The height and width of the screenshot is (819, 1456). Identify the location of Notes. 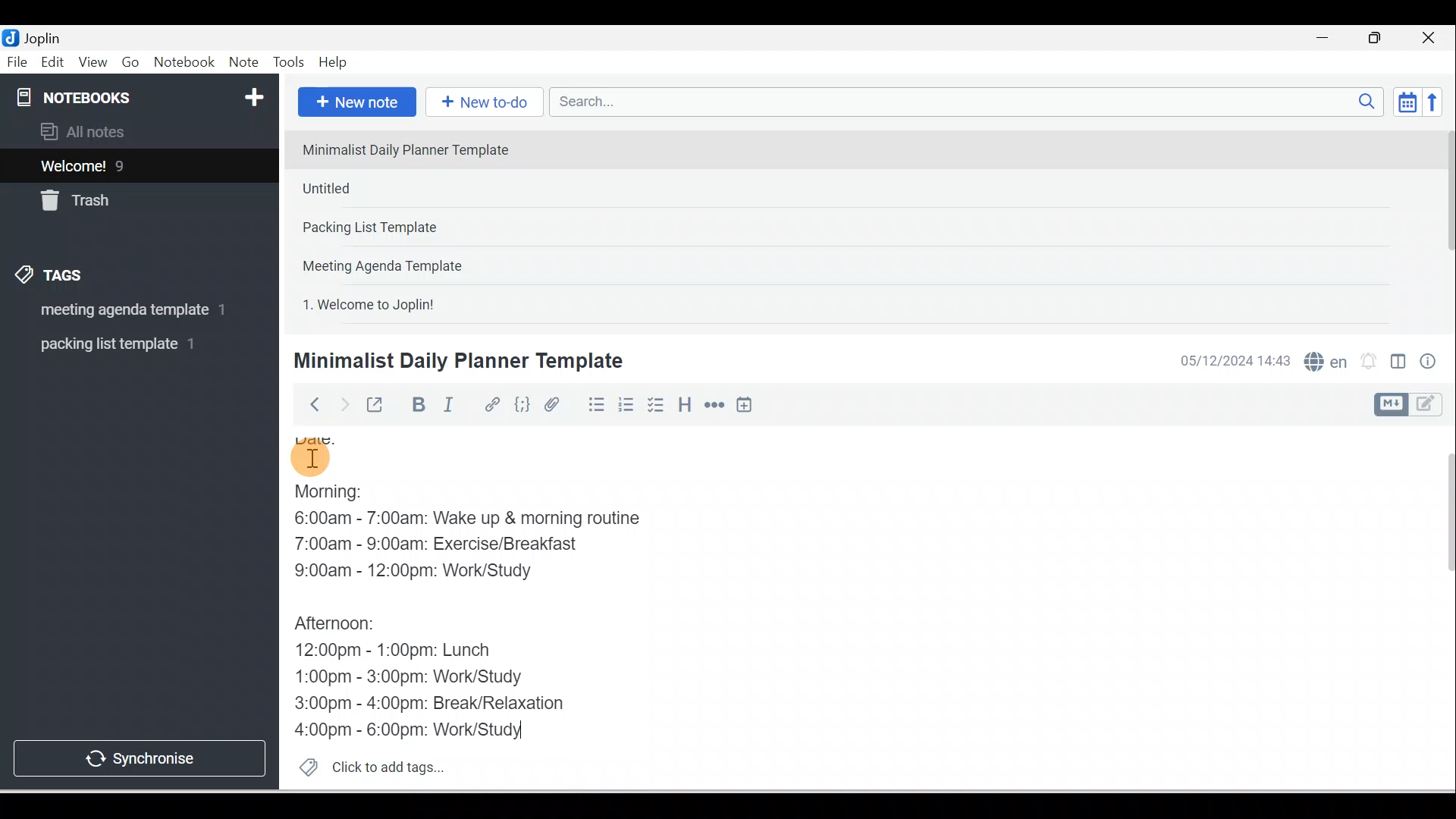
(128, 162).